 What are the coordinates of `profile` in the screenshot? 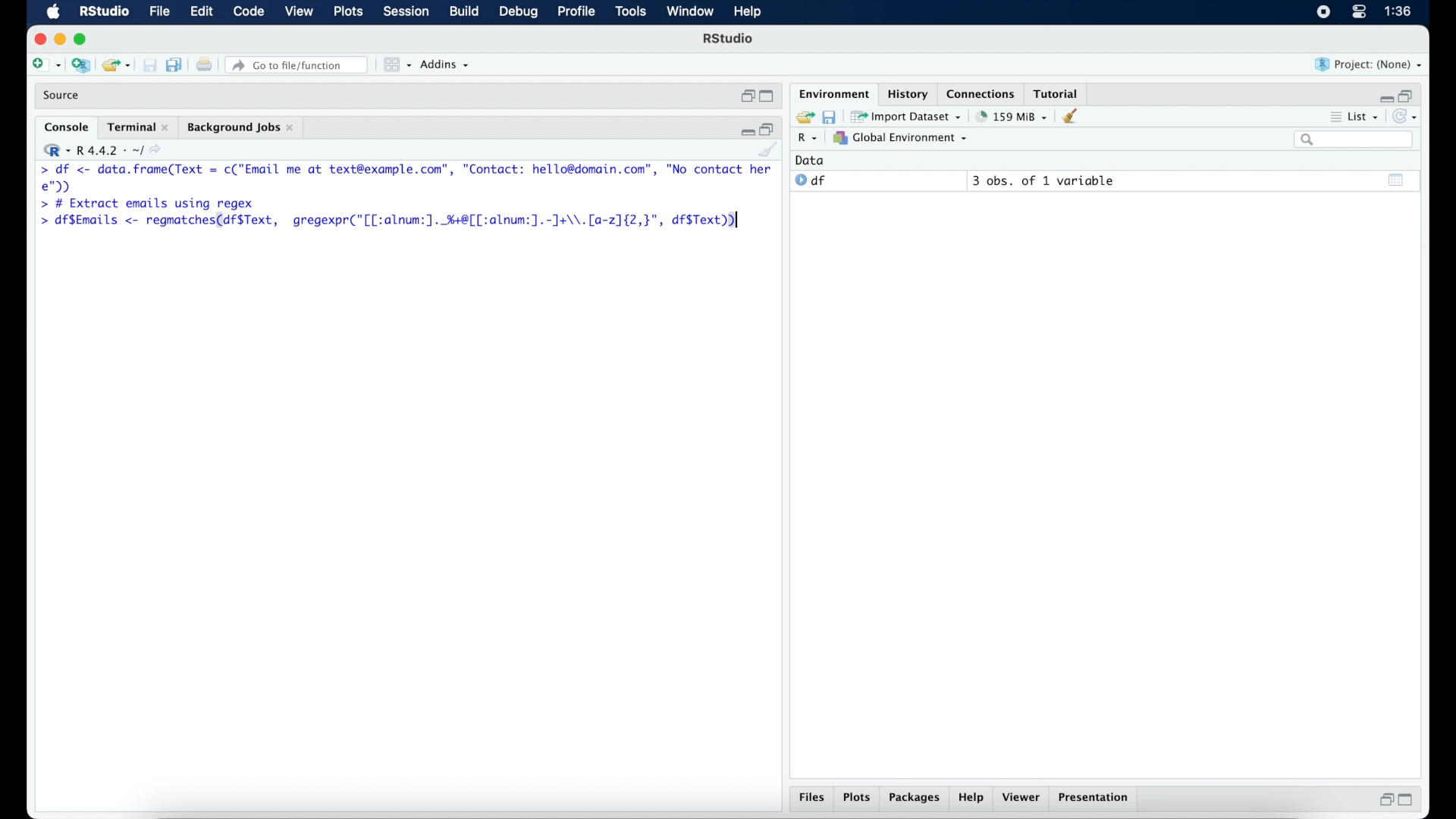 It's located at (576, 12).